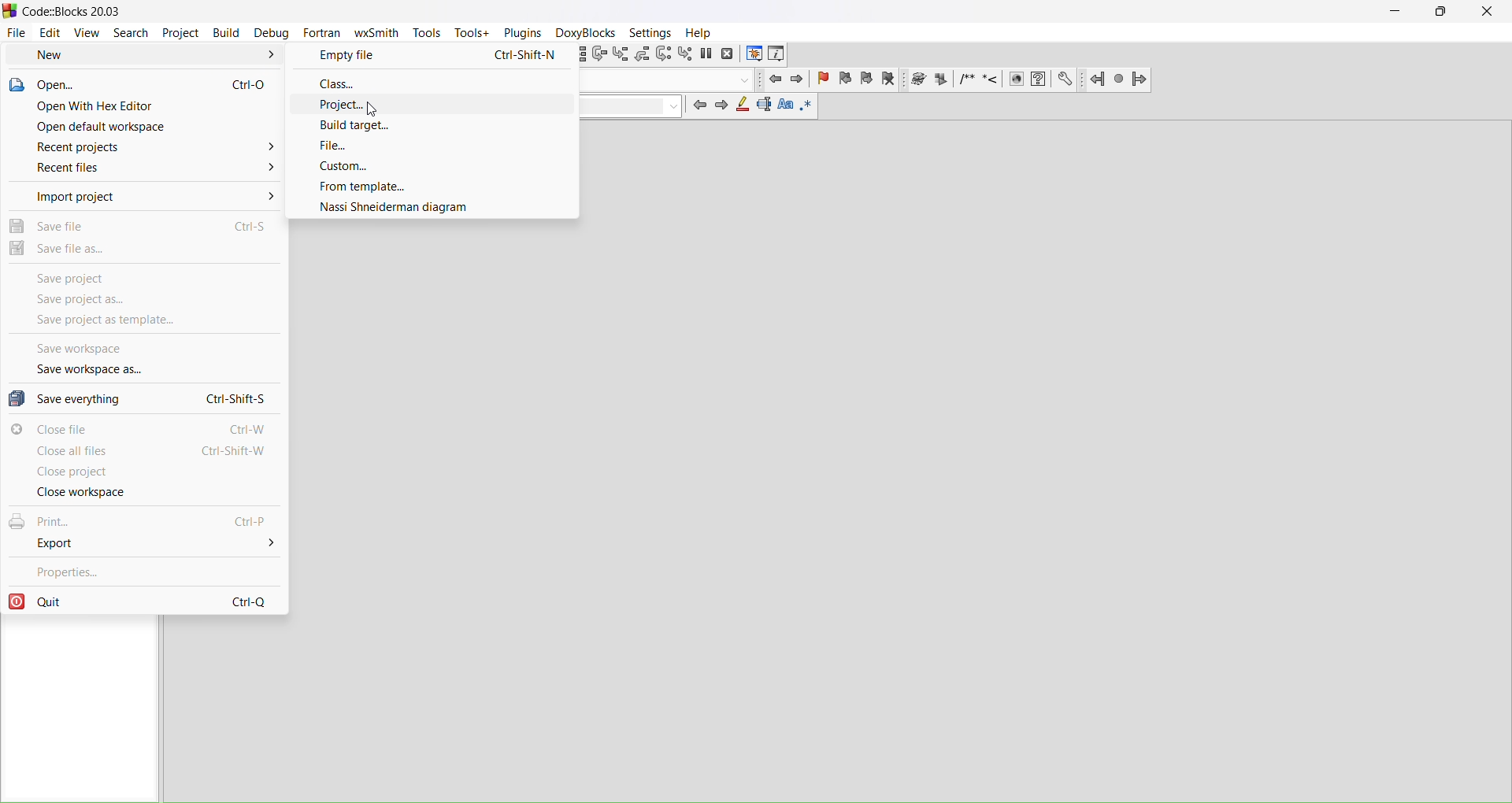  What do you see at coordinates (432, 210) in the screenshot?
I see `nassi shneiderman diagram` at bounding box center [432, 210].